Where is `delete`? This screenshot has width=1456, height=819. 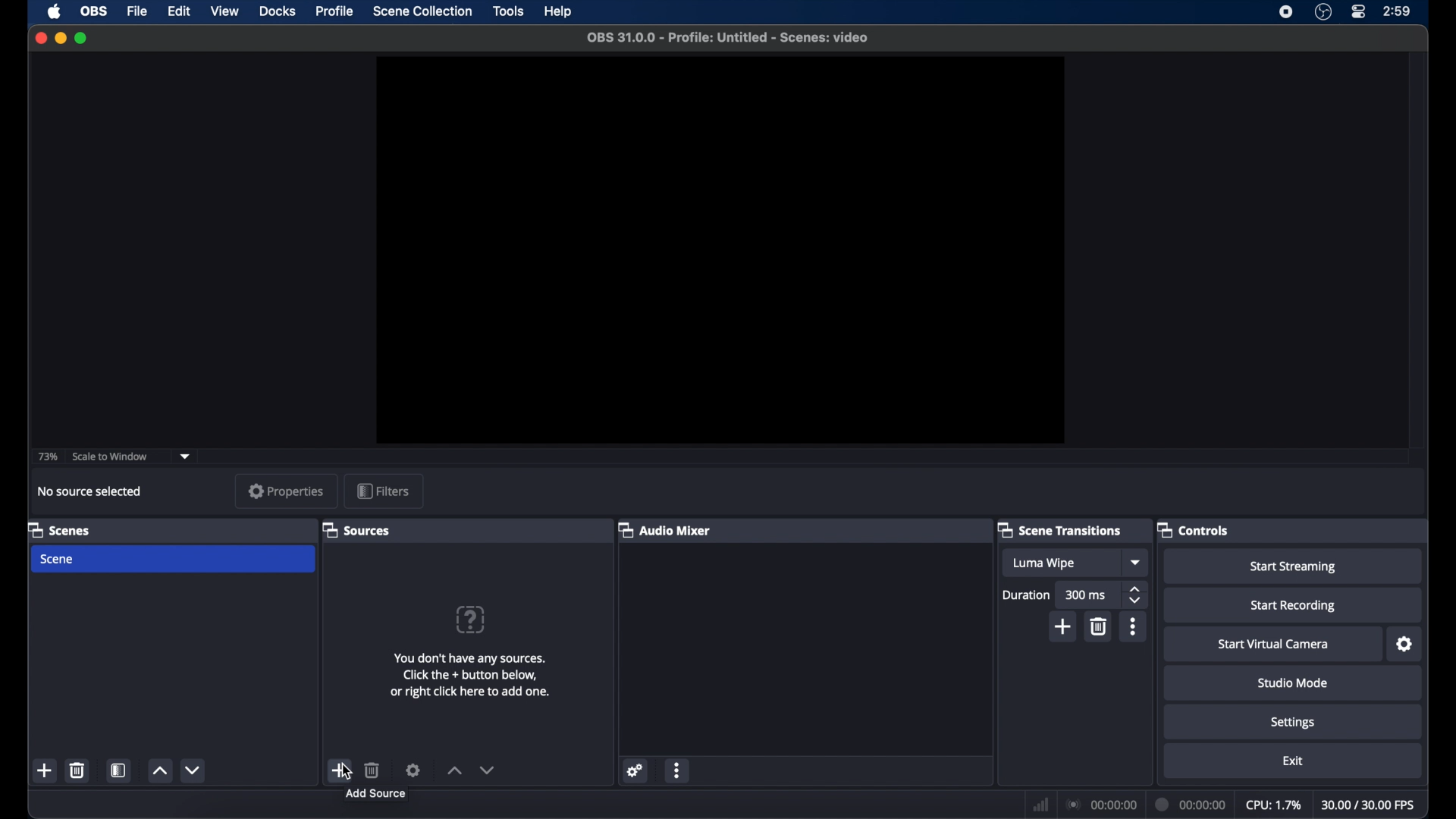 delete is located at coordinates (372, 770).